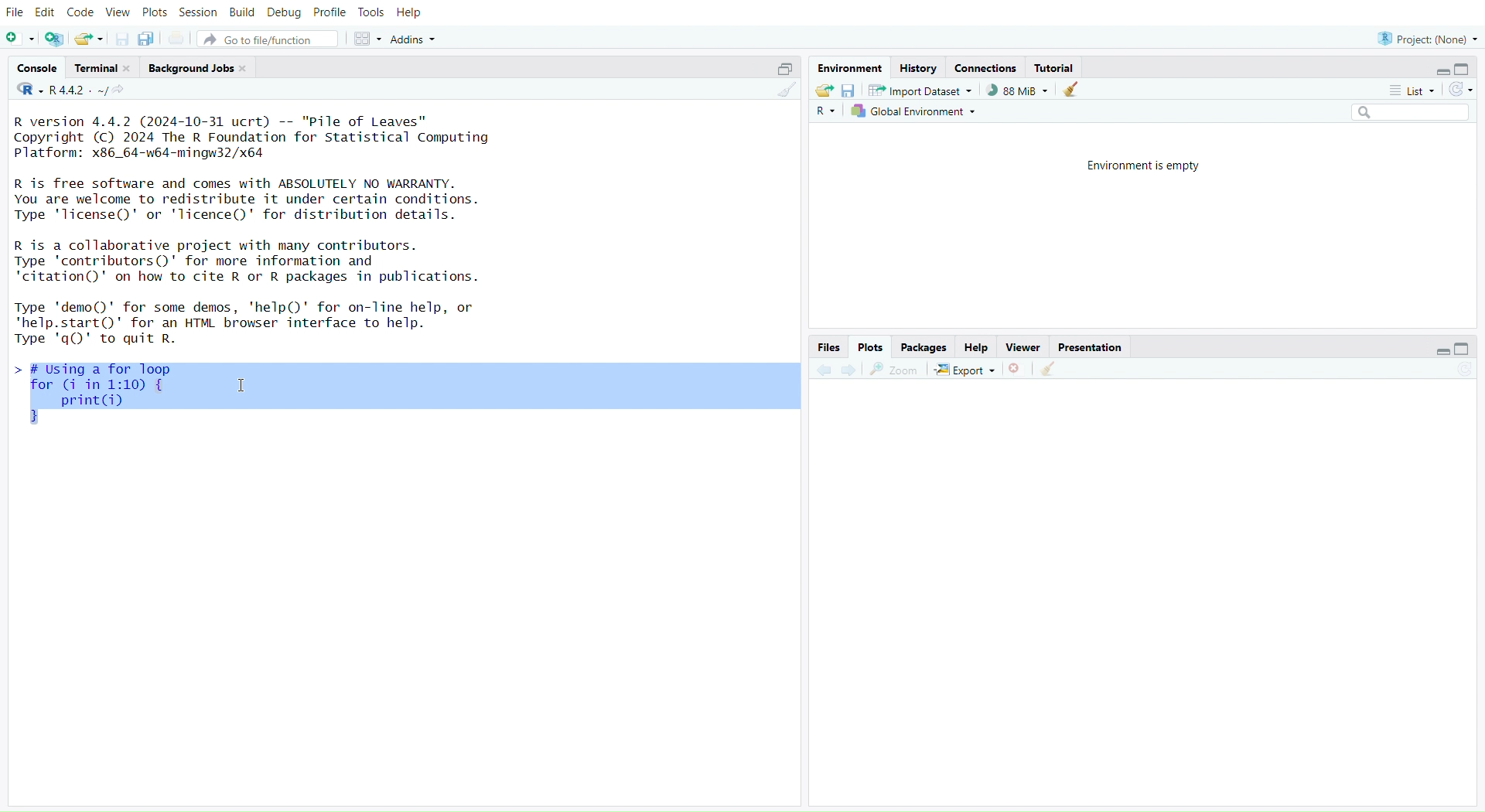  Describe the element at coordinates (893, 370) in the screenshot. I see `zoom` at that location.